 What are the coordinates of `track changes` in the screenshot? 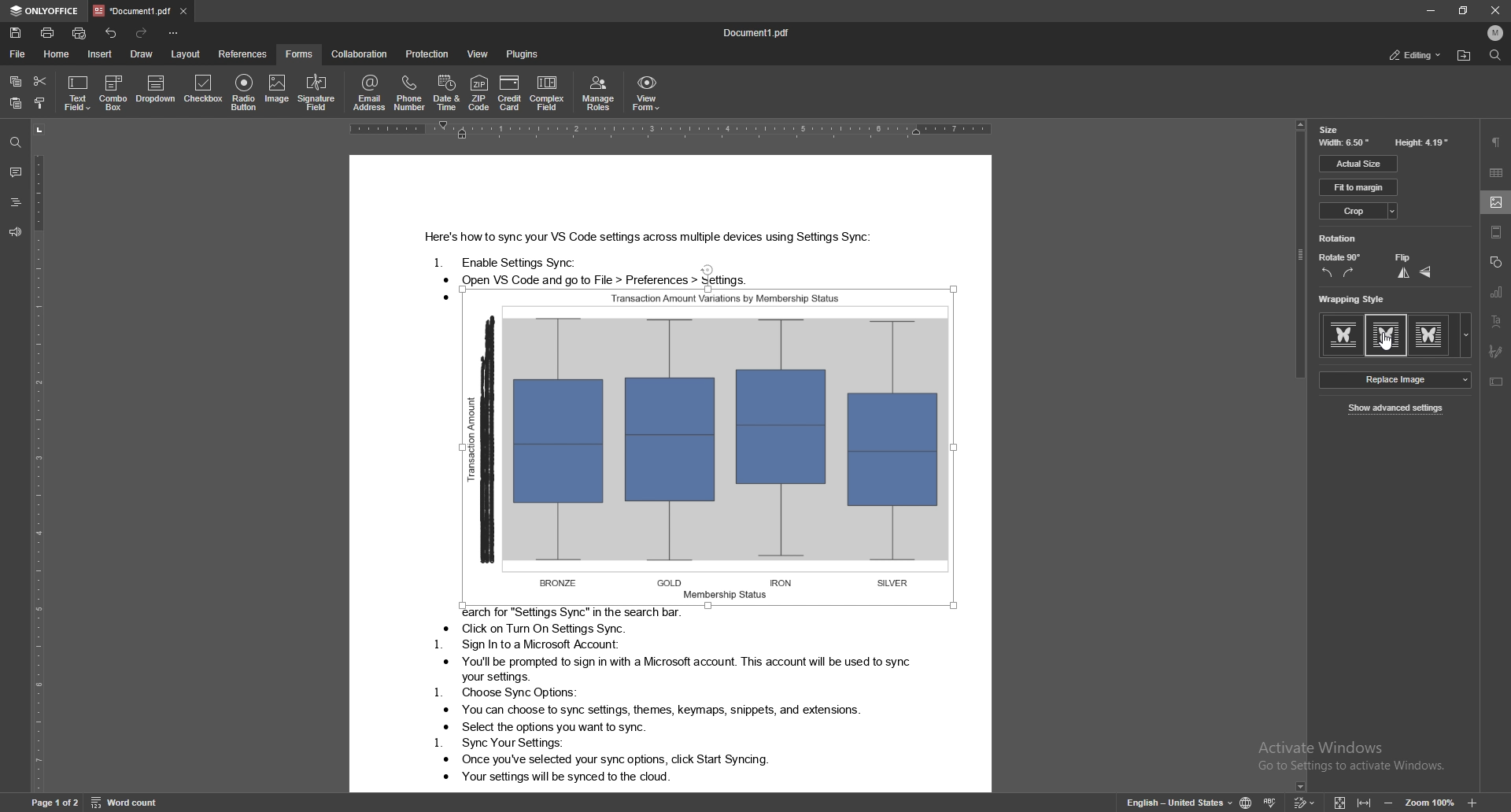 It's located at (1303, 803).